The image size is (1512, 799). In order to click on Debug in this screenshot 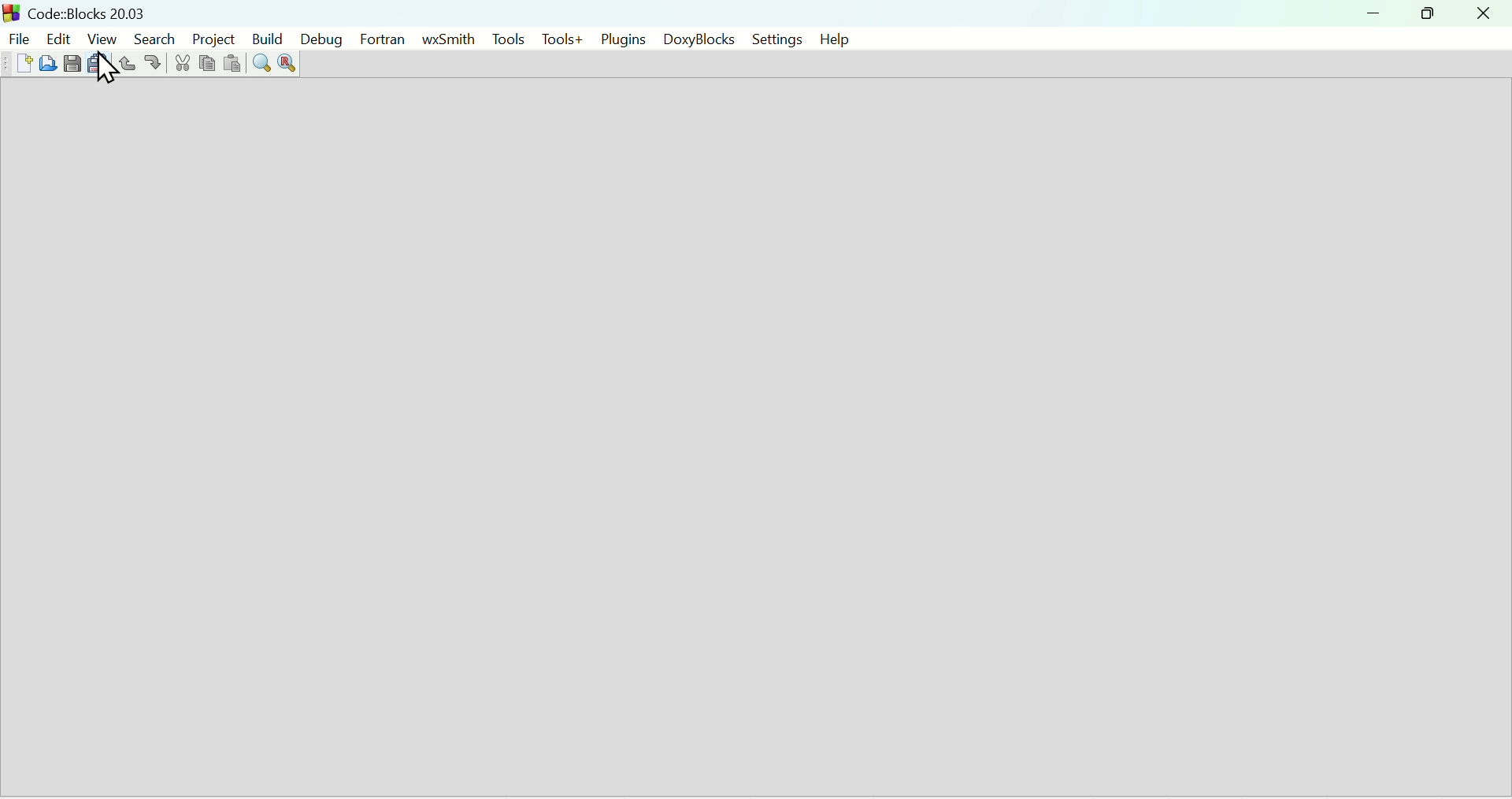, I will do `click(320, 39)`.